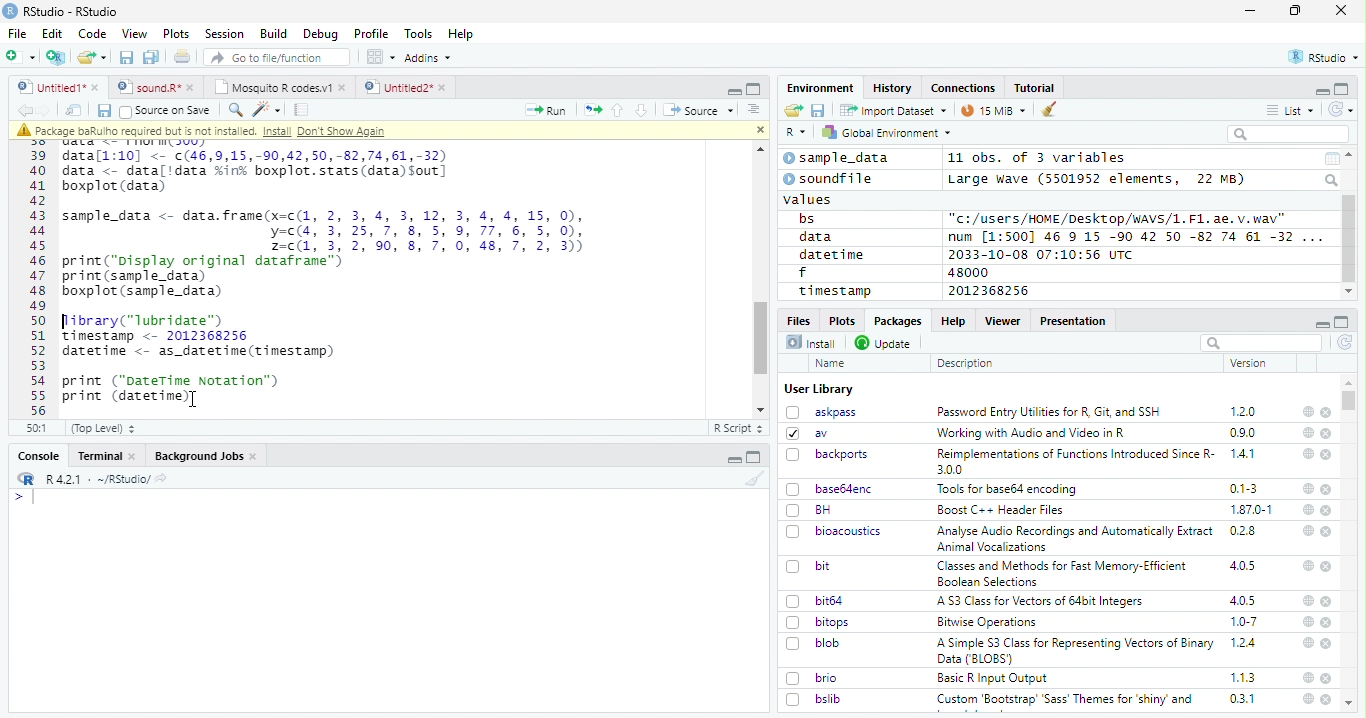 This screenshot has height=718, width=1366. What do you see at coordinates (206, 456) in the screenshot?
I see `Background Jobs` at bounding box center [206, 456].